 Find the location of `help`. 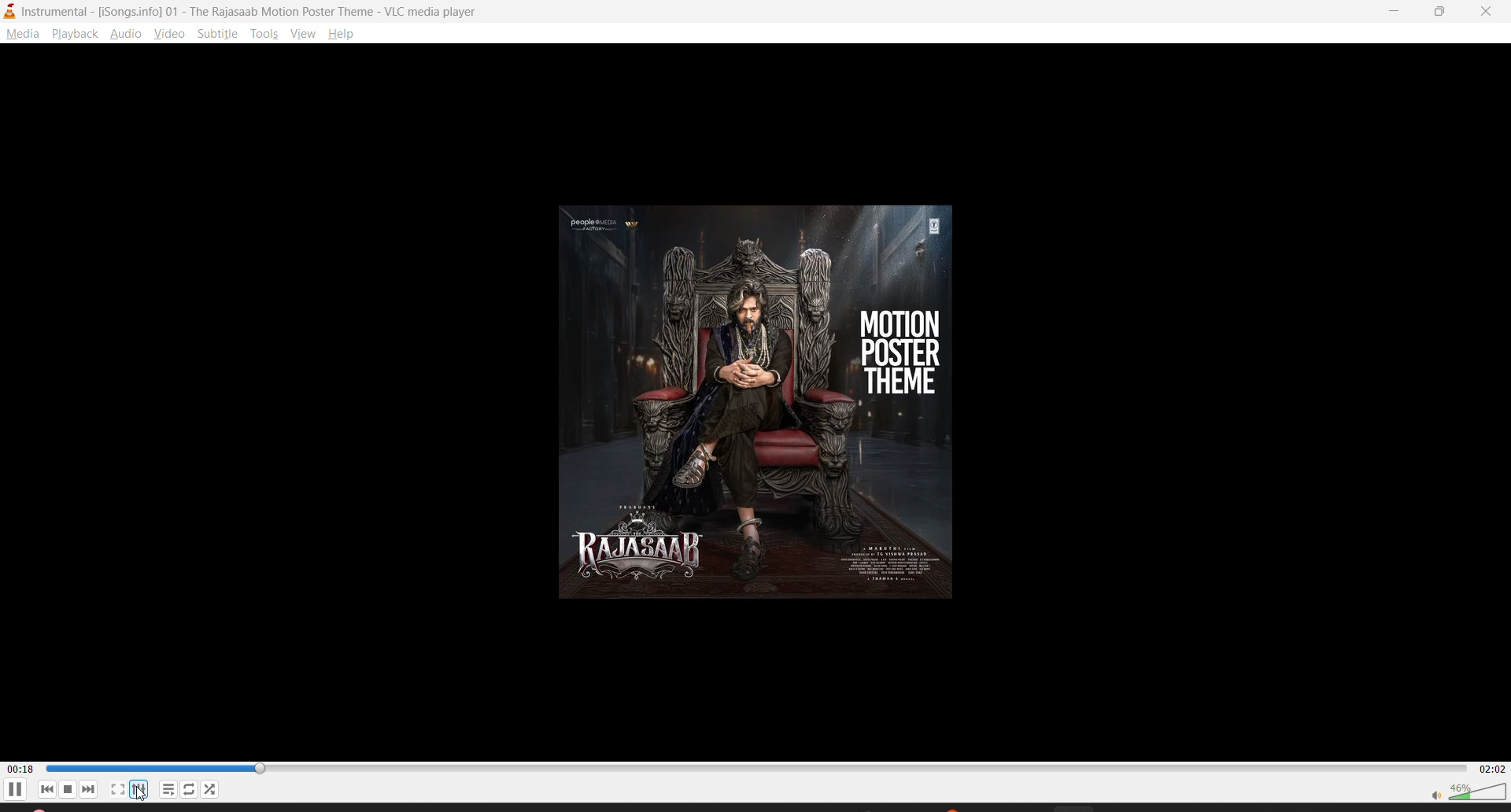

help is located at coordinates (345, 34).